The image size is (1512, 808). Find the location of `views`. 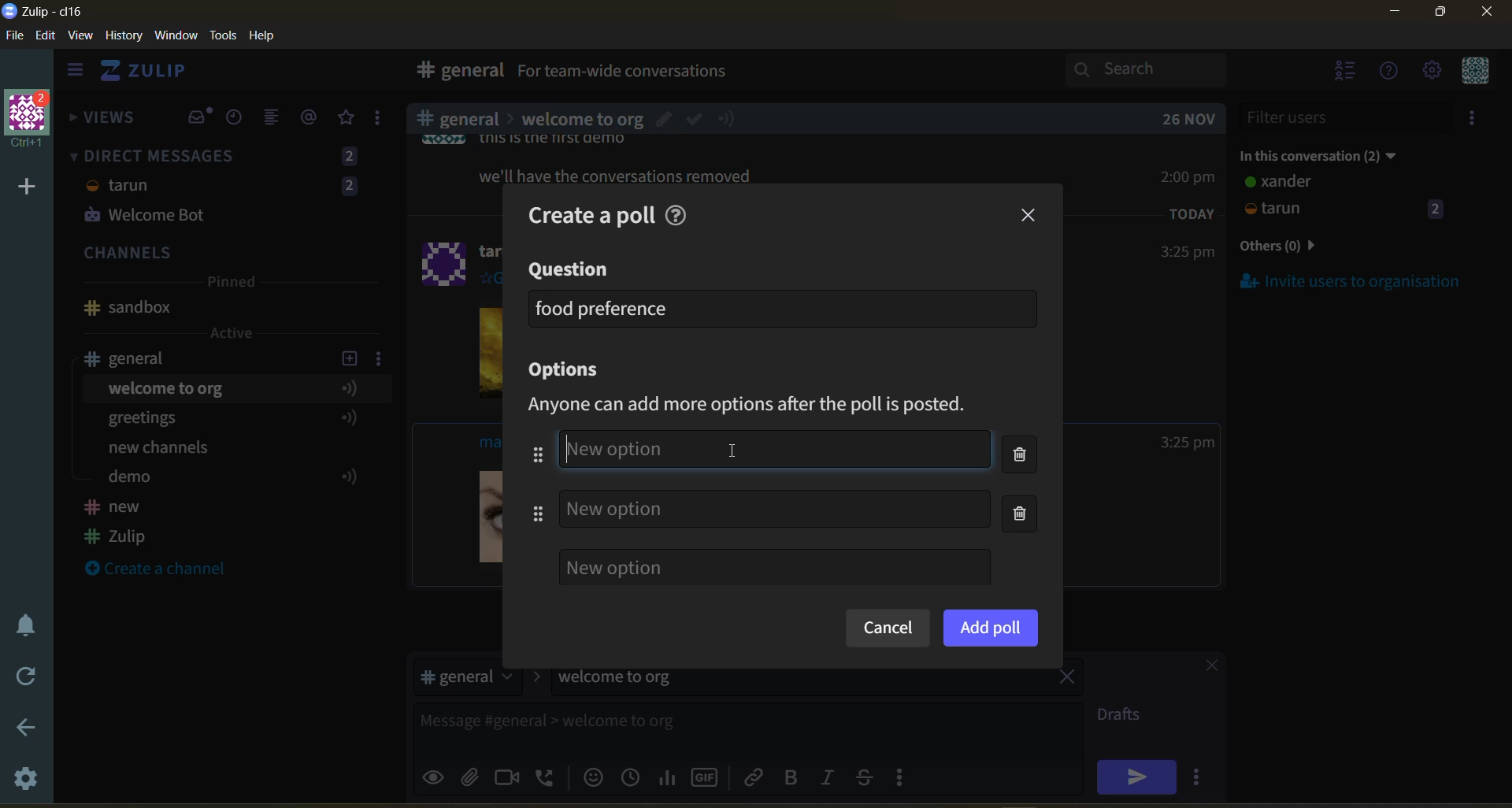

views is located at coordinates (103, 122).